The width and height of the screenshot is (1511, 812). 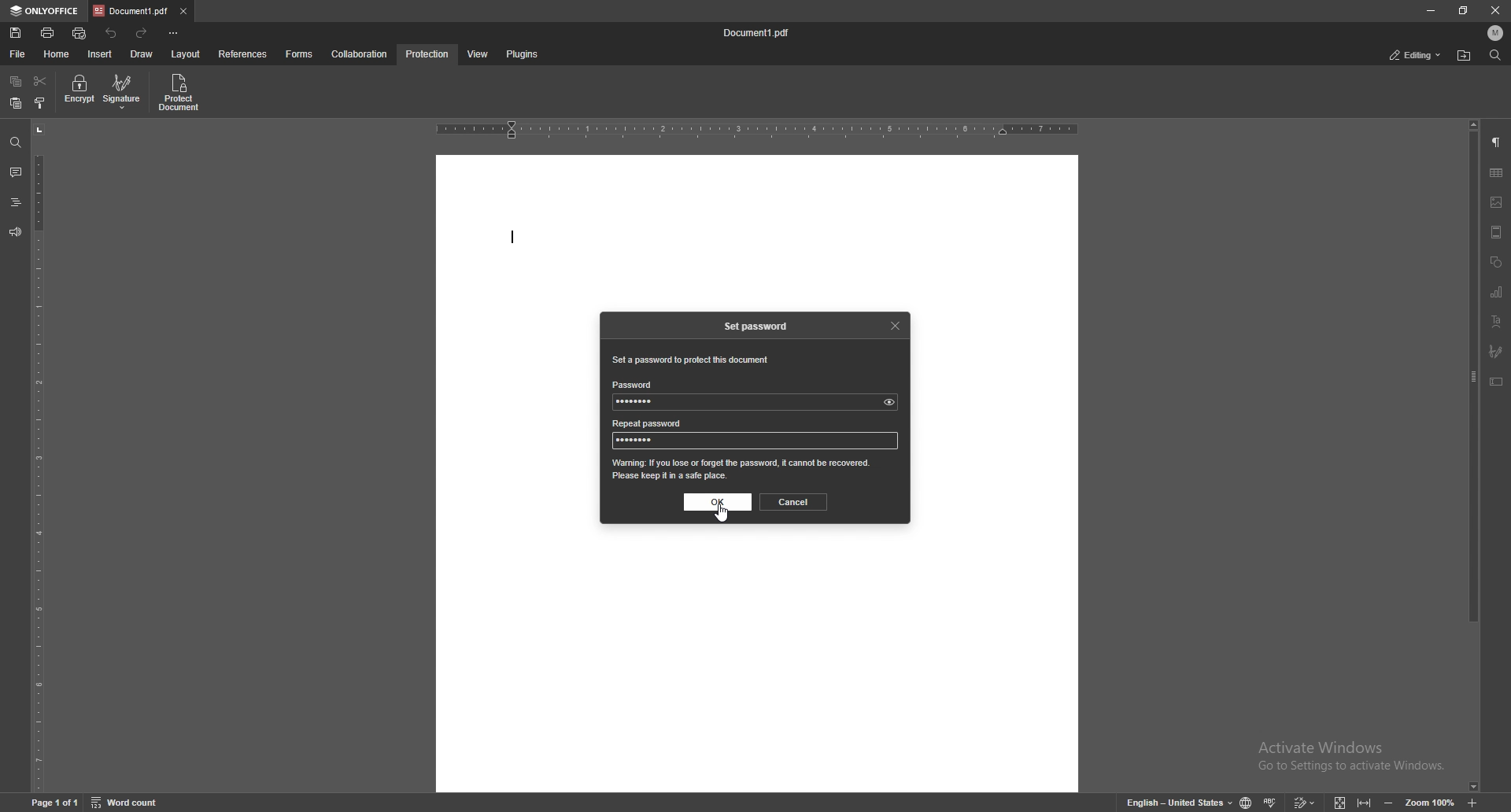 I want to click on draw, so click(x=142, y=54).